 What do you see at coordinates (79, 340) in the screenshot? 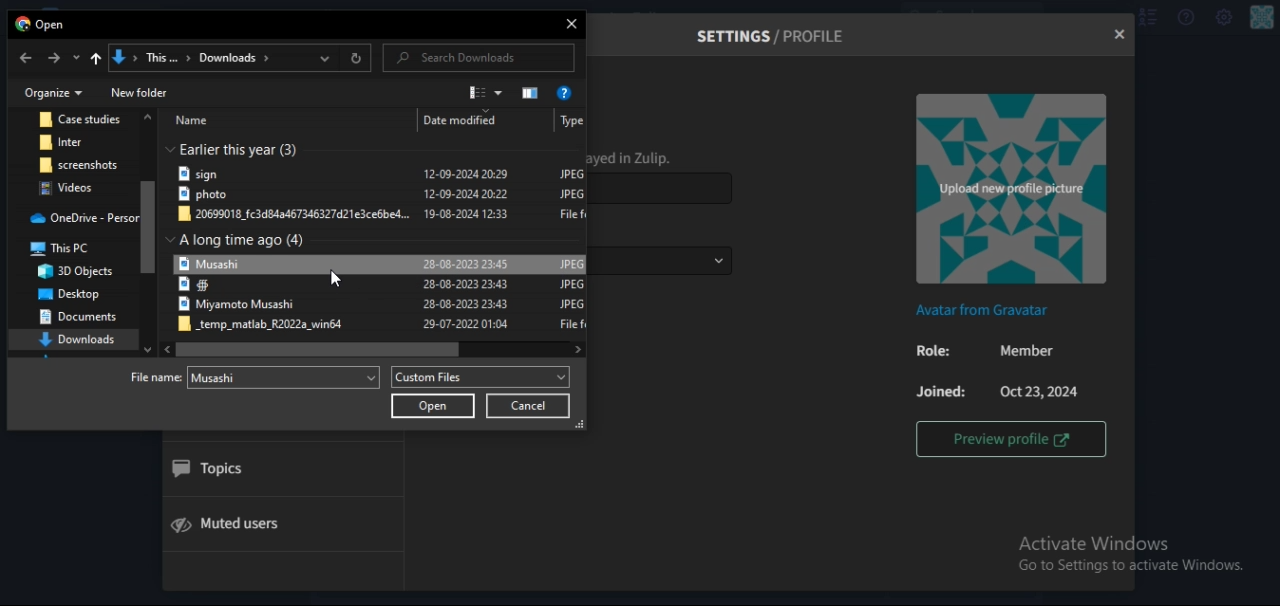
I see `downloads` at bounding box center [79, 340].